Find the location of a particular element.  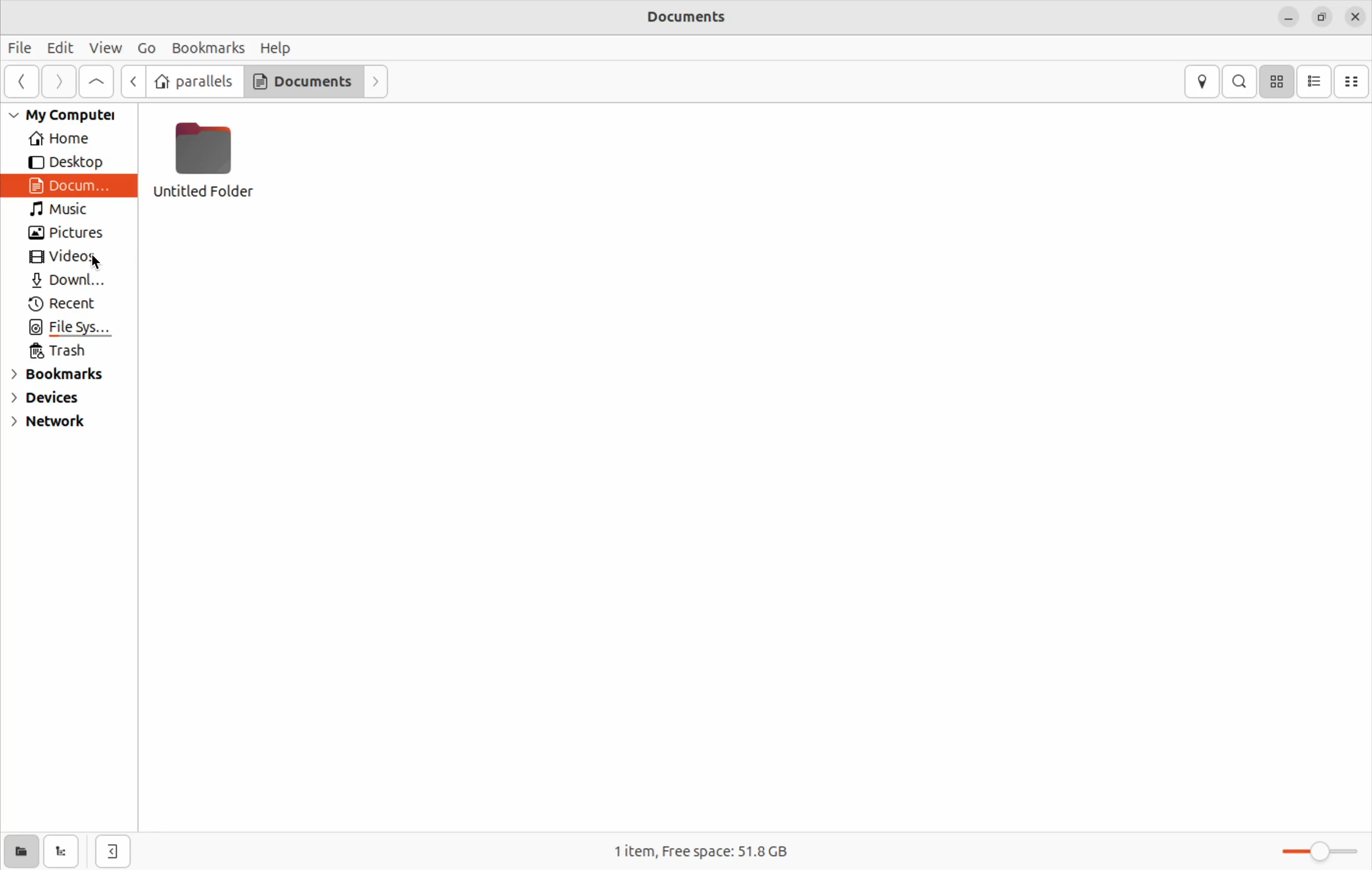

Documents is located at coordinates (683, 18).